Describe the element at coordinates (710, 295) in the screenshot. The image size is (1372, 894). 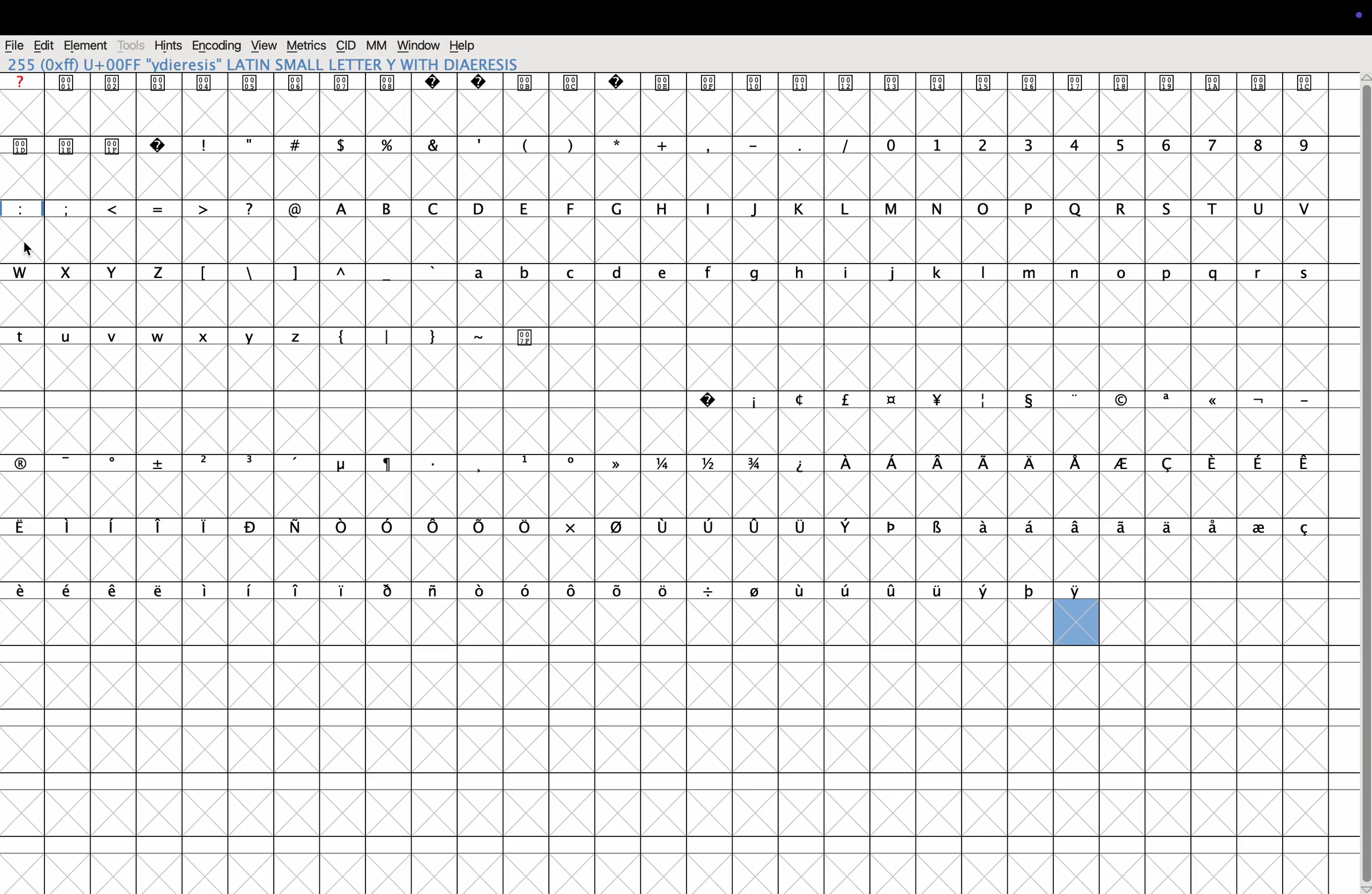
I see `f` at that location.